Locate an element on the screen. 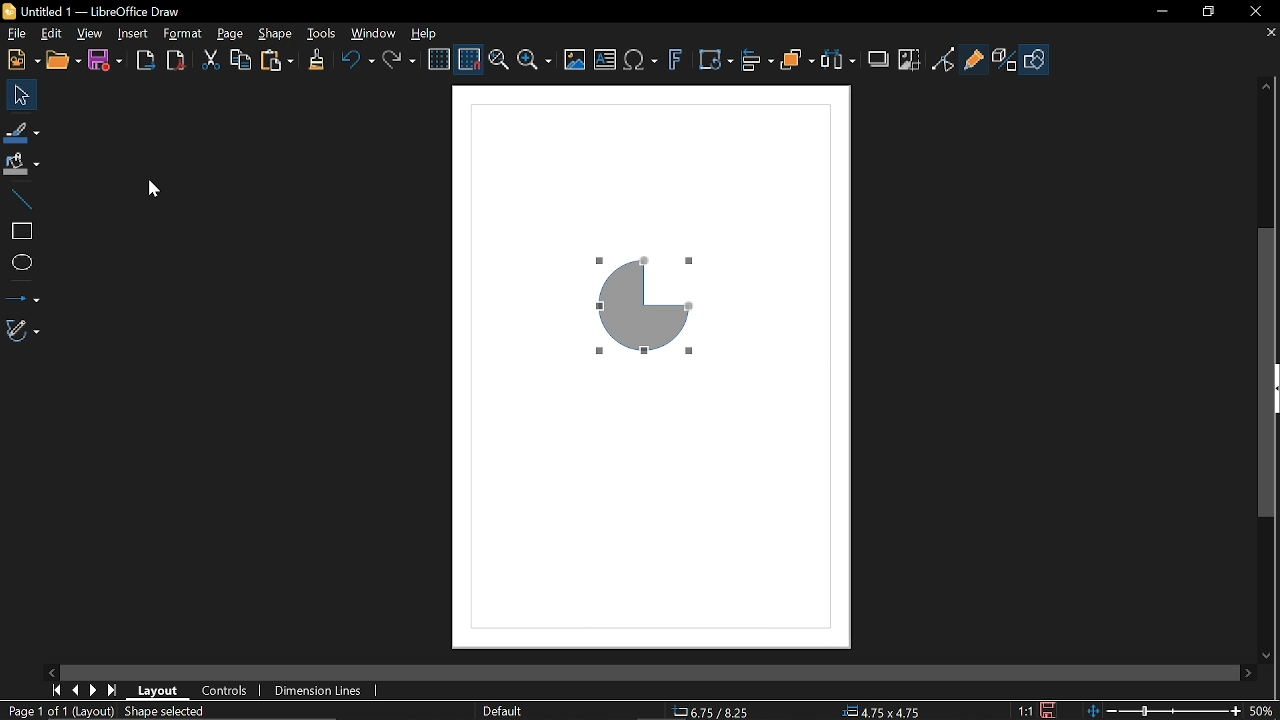  Insert equation is located at coordinates (641, 62).